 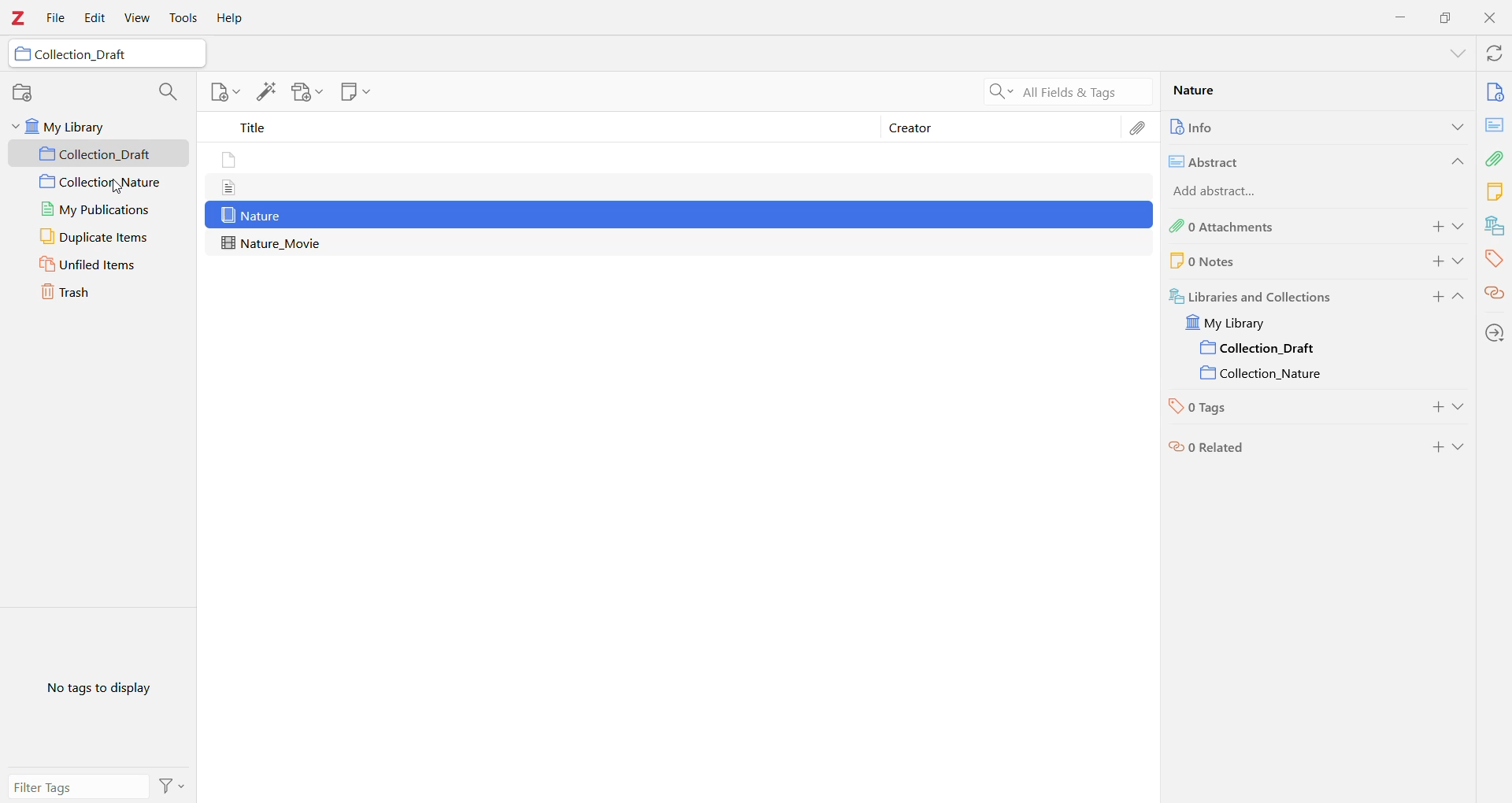 What do you see at coordinates (1459, 299) in the screenshot?
I see `Expand Section` at bounding box center [1459, 299].